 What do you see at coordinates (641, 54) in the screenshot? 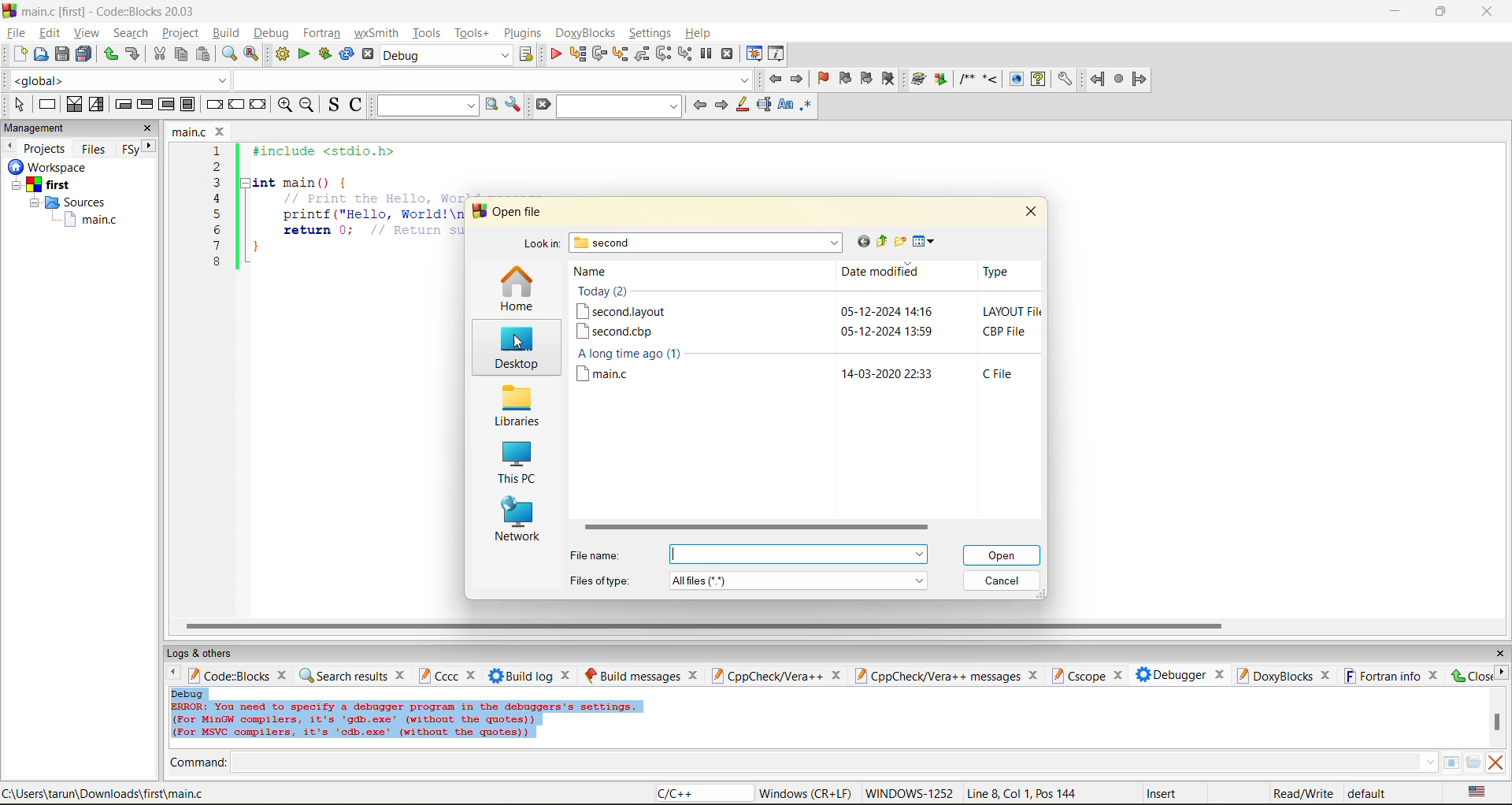
I see `step out` at bounding box center [641, 54].